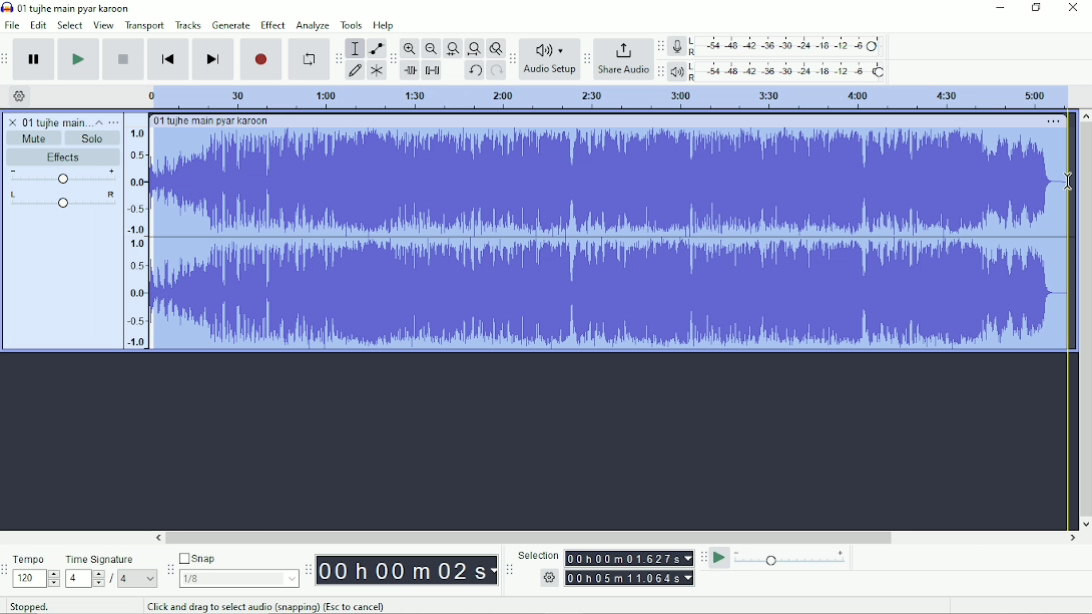 The image size is (1092, 614). I want to click on Share Audio, so click(623, 59).